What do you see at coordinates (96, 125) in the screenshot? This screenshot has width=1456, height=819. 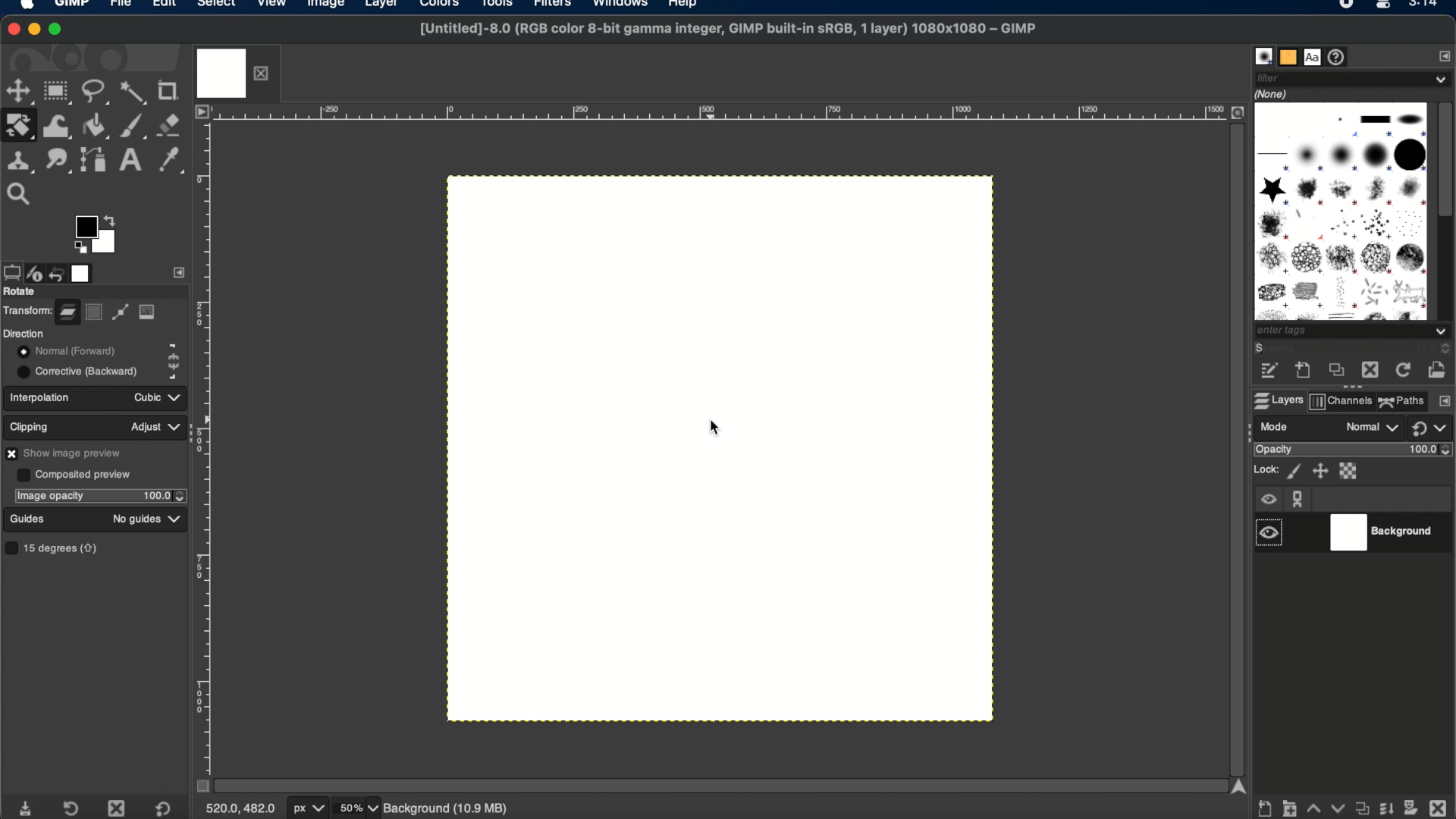 I see `bucket fill tool` at bounding box center [96, 125].